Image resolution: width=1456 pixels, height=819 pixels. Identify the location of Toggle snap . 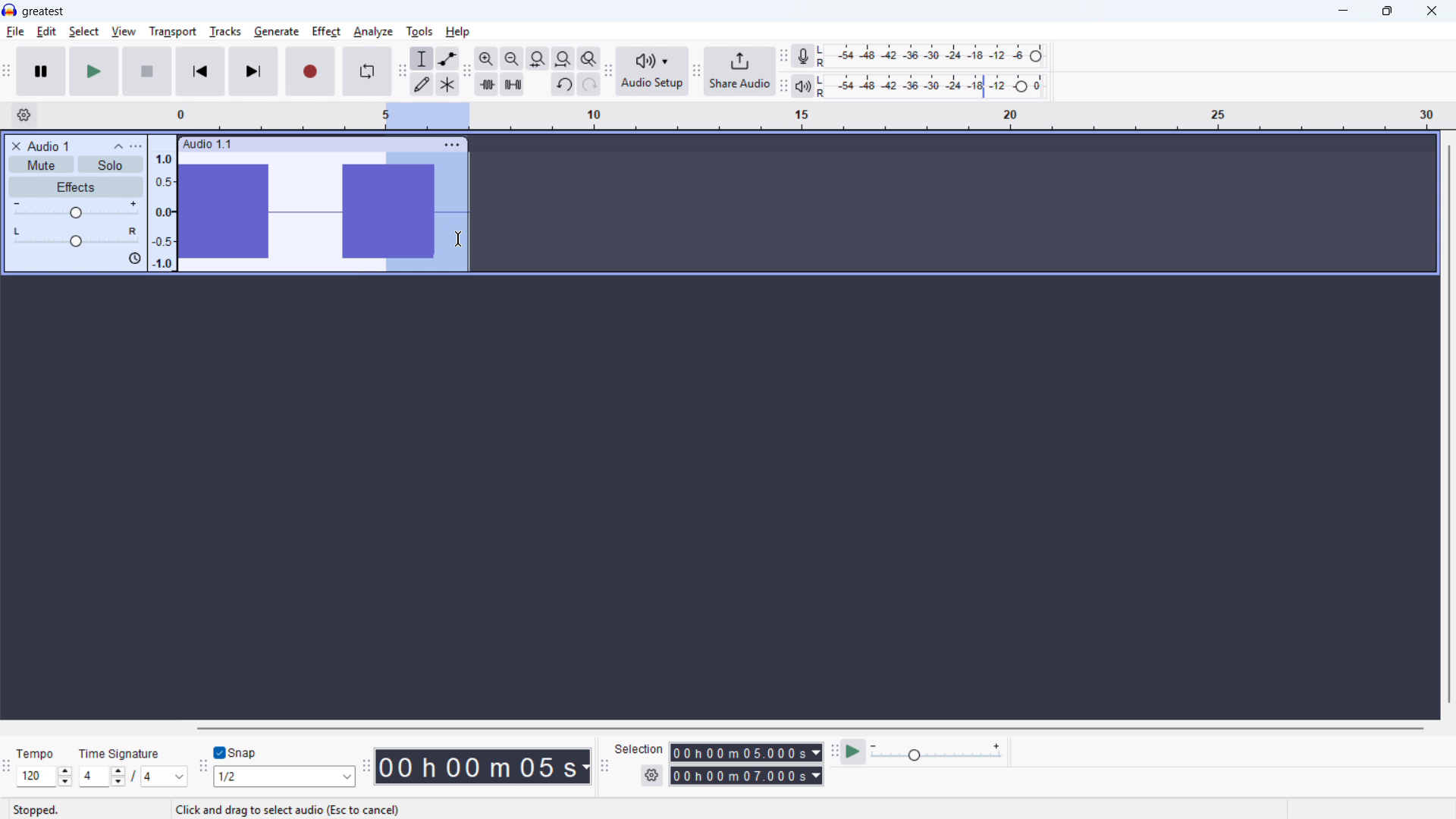
(238, 752).